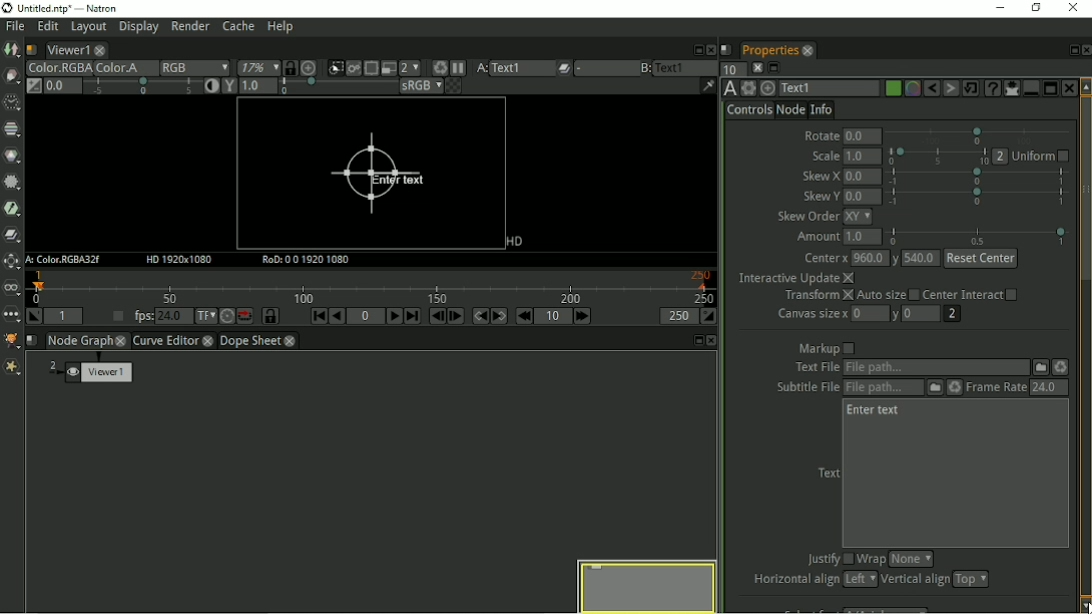 Image resolution: width=1092 pixels, height=614 pixels. Describe the element at coordinates (934, 367) in the screenshot. I see `Text File` at that location.